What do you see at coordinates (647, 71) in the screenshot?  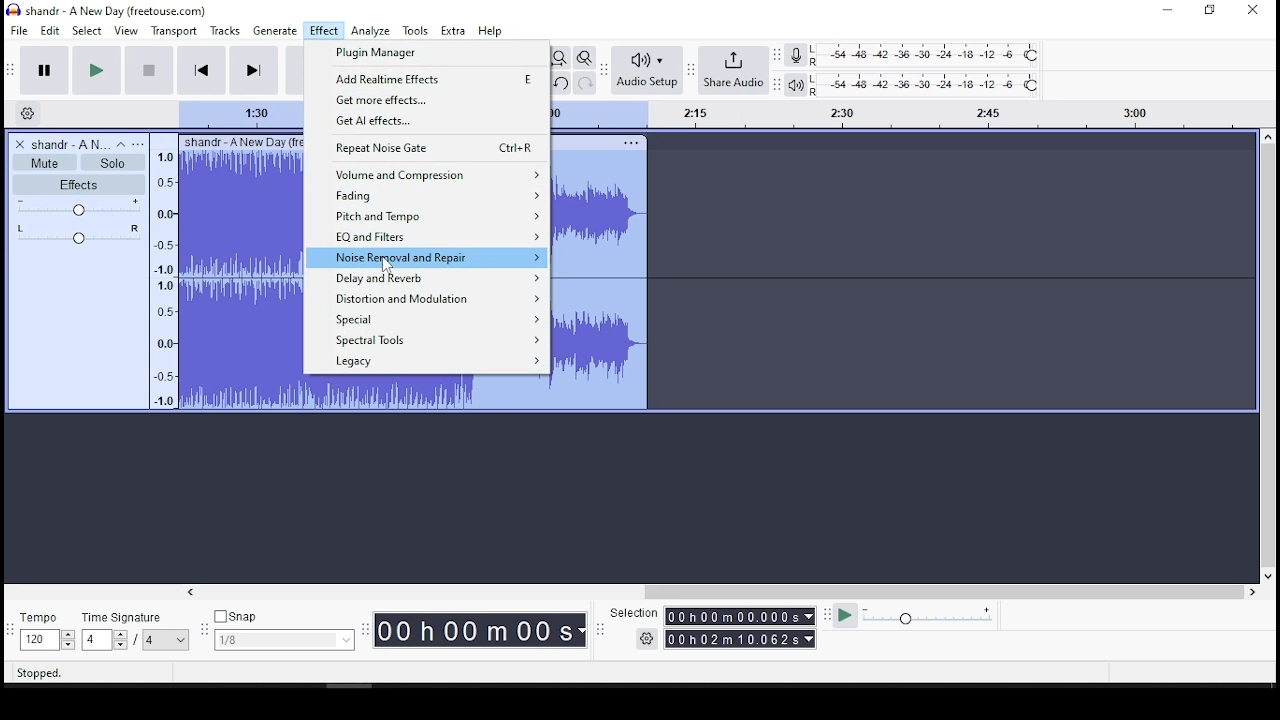 I see `audio setup` at bounding box center [647, 71].